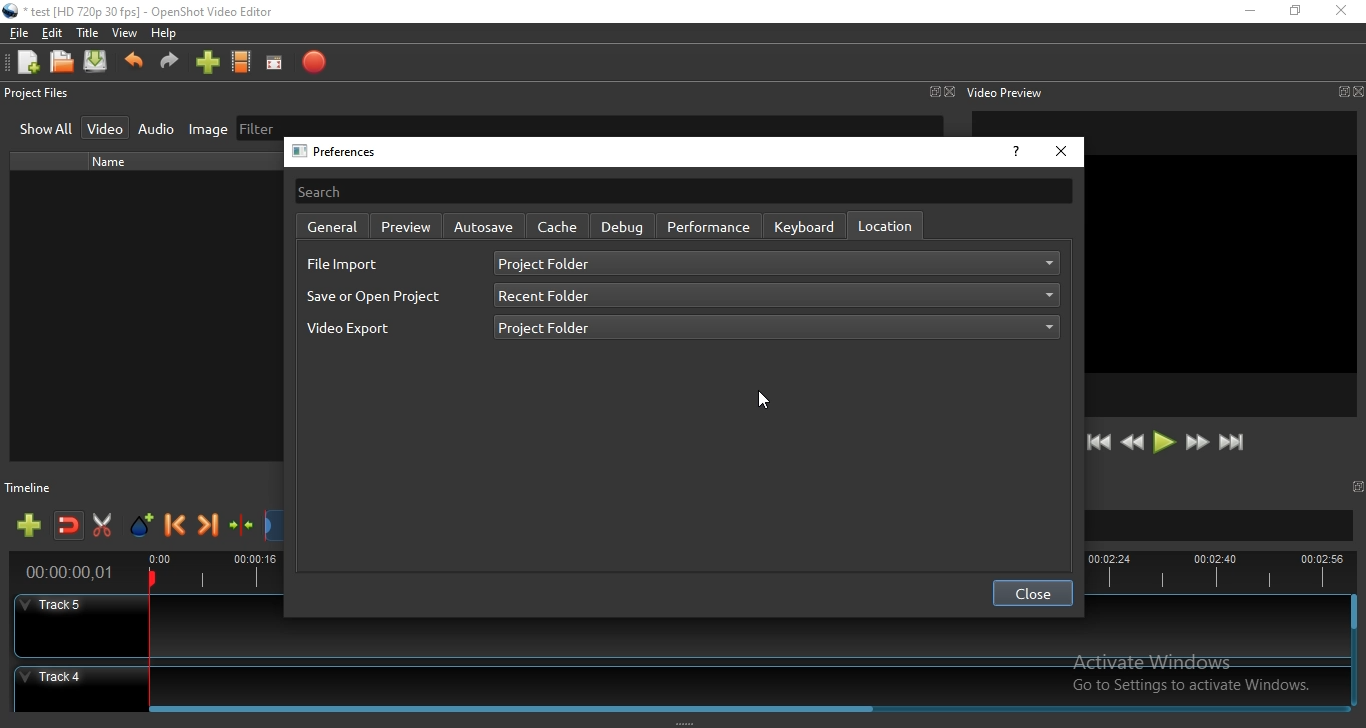  What do you see at coordinates (777, 264) in the screenshot?
I see `project folder` at bounding box center [777, 264].